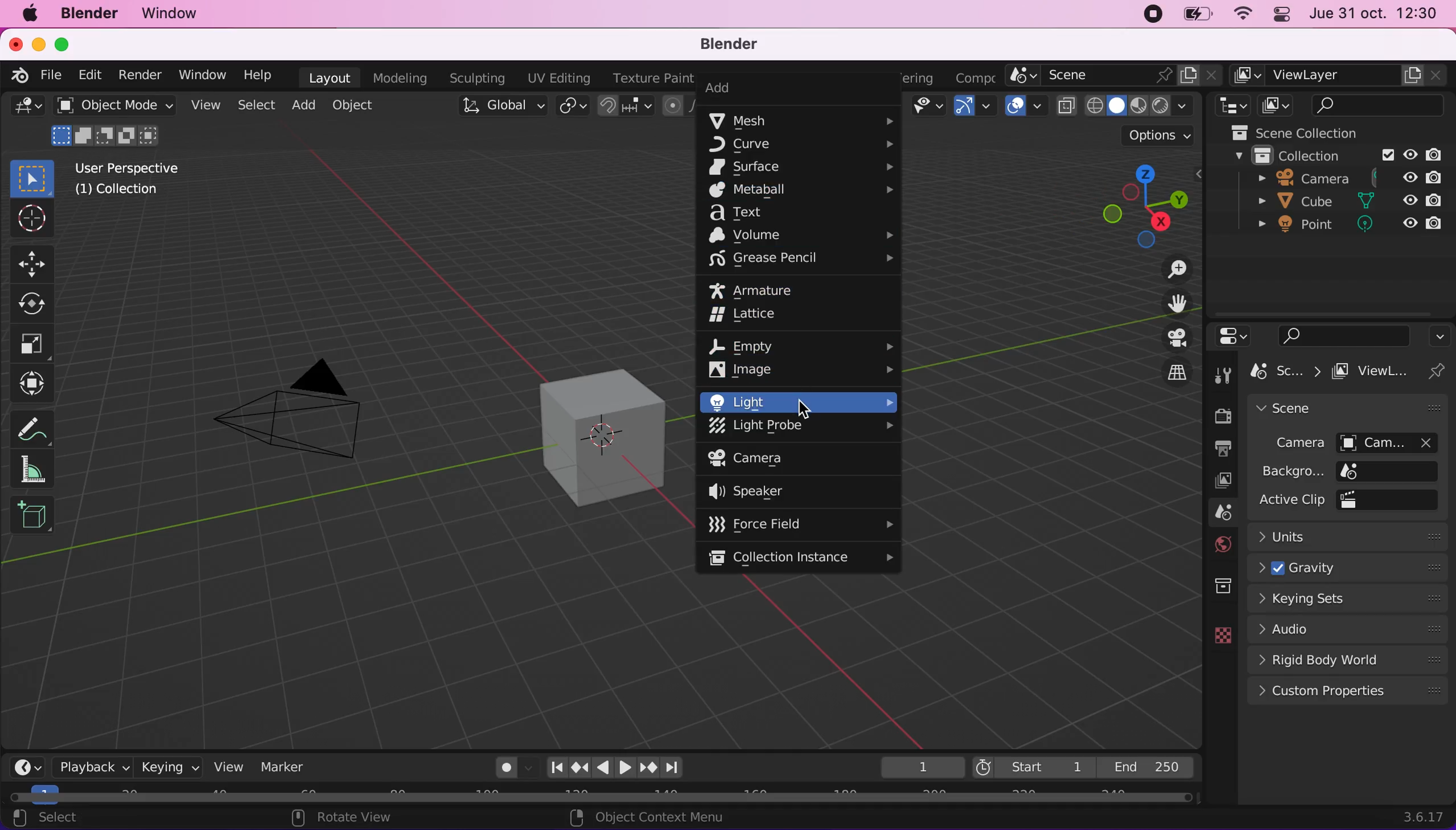  I want to click on audio, so click(1344, 632).